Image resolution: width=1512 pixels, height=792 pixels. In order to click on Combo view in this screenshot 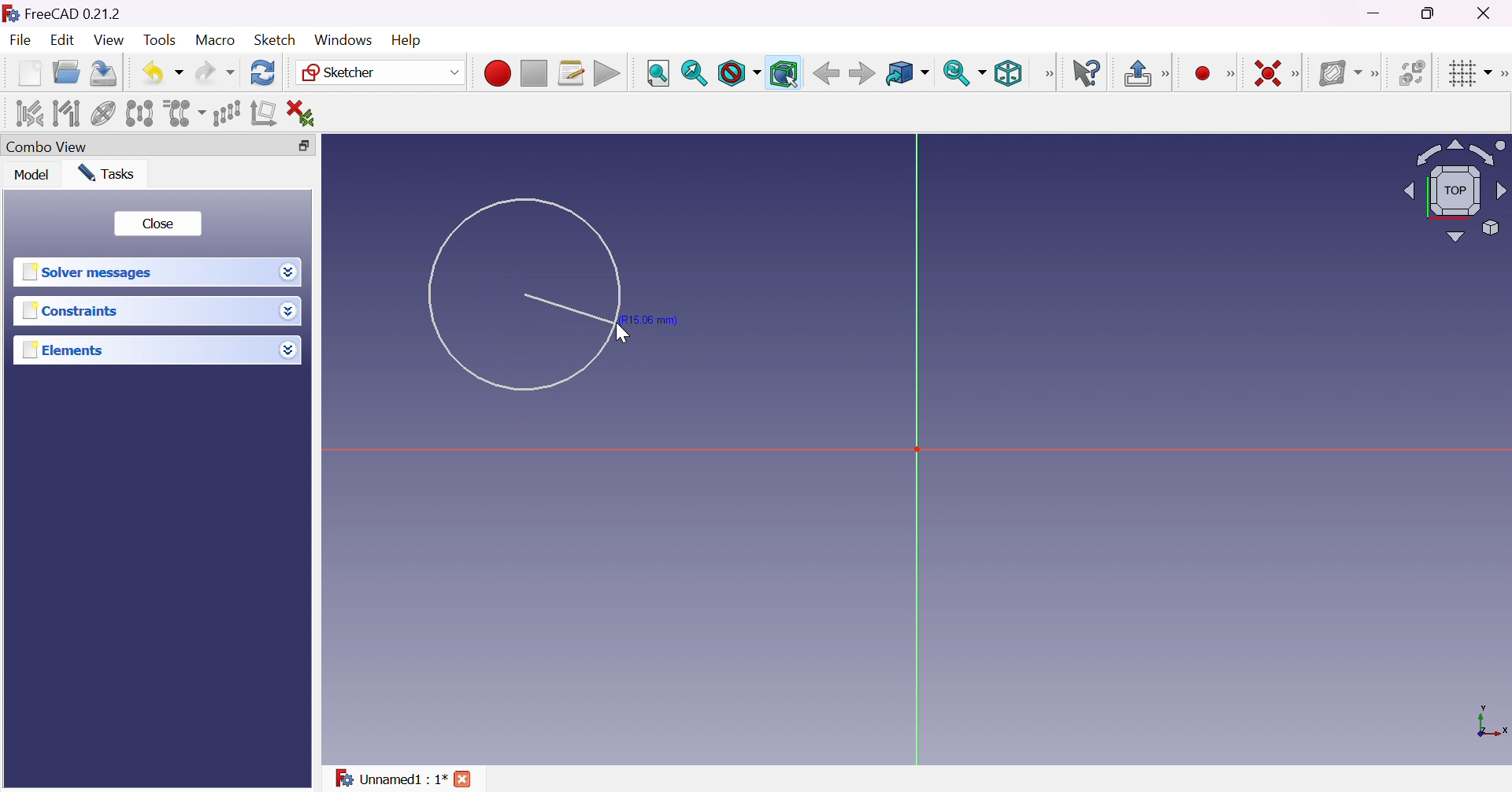, I will do `click(46, 148)`.